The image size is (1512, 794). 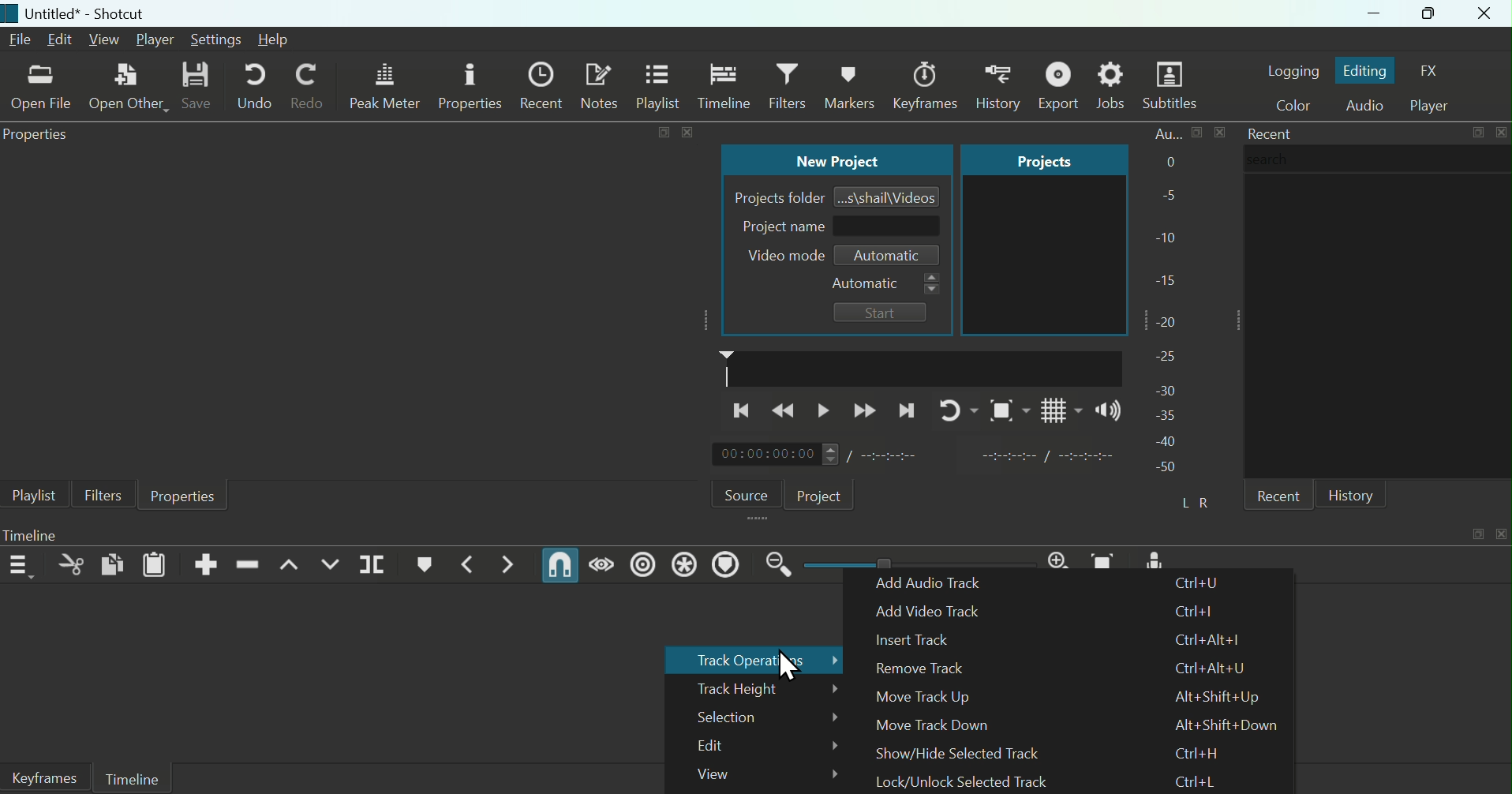 What do you see at coordinates (1196, 753) in the screenshot?
I see `Ctrl+H` at bounding box center [1196, 753].